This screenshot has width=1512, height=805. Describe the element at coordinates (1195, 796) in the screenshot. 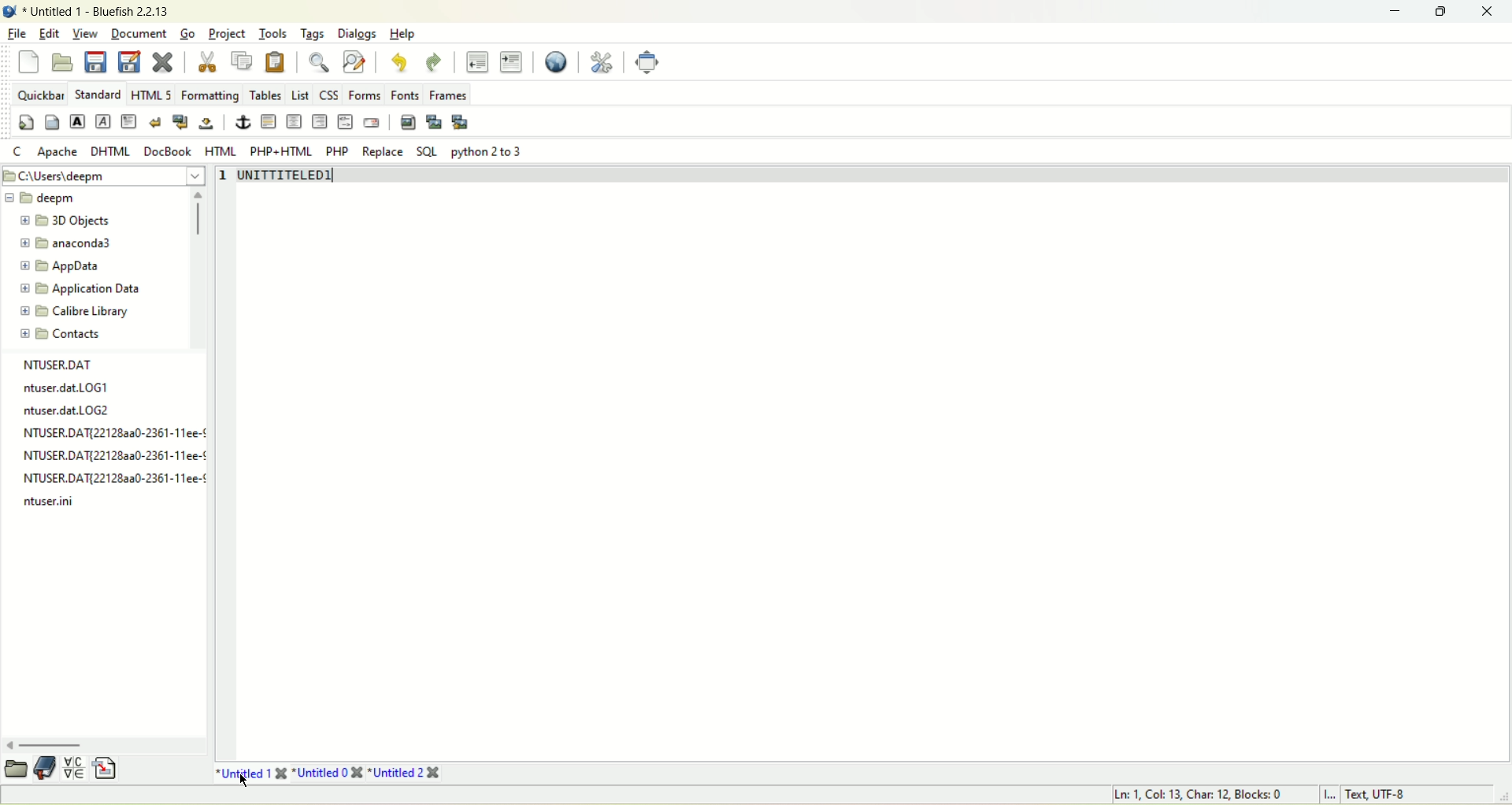

I see `Ln 1, Col 13, Char 12, Blocks 0` at that location.